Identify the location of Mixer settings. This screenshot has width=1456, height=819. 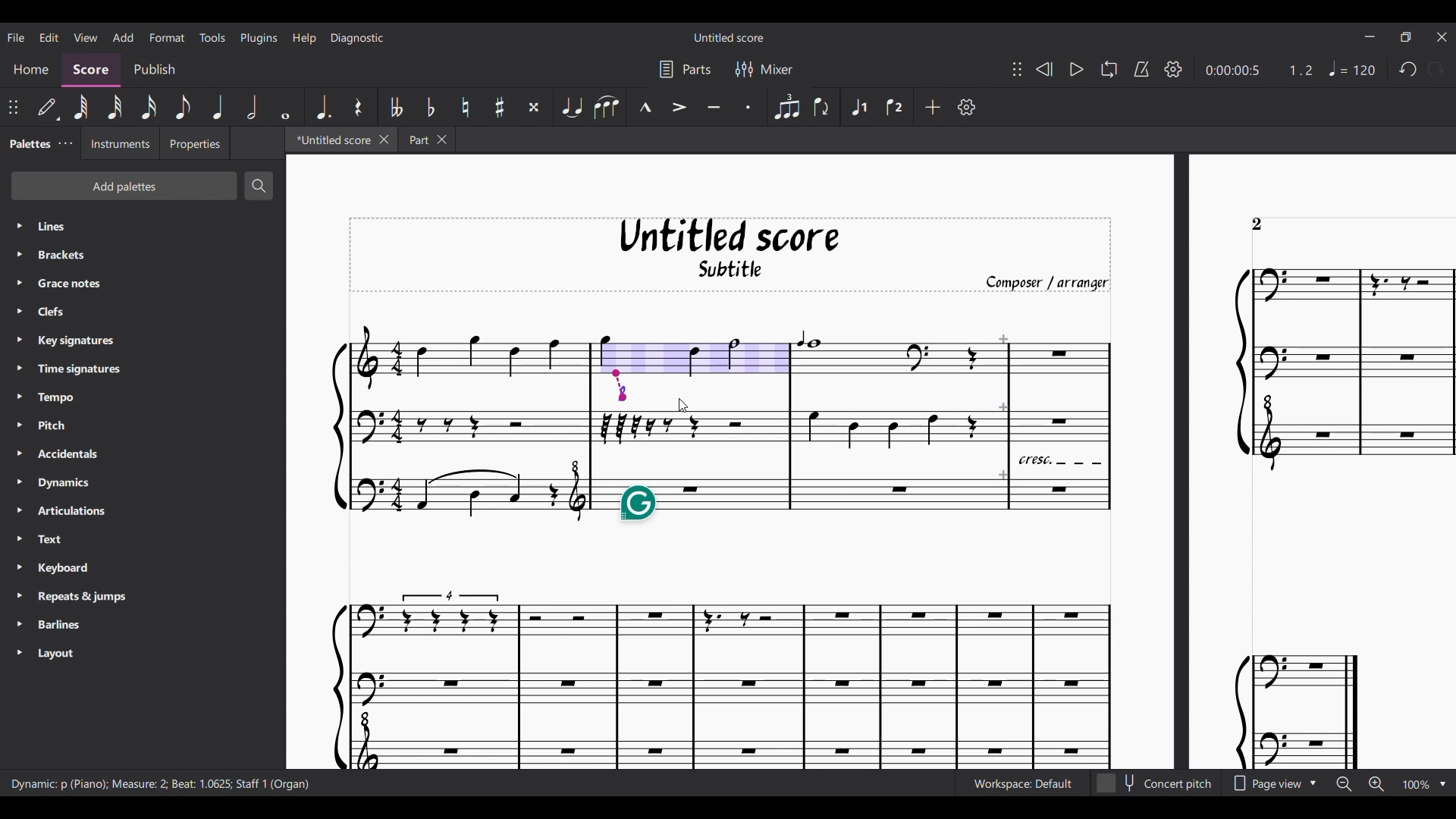
(764, 68).